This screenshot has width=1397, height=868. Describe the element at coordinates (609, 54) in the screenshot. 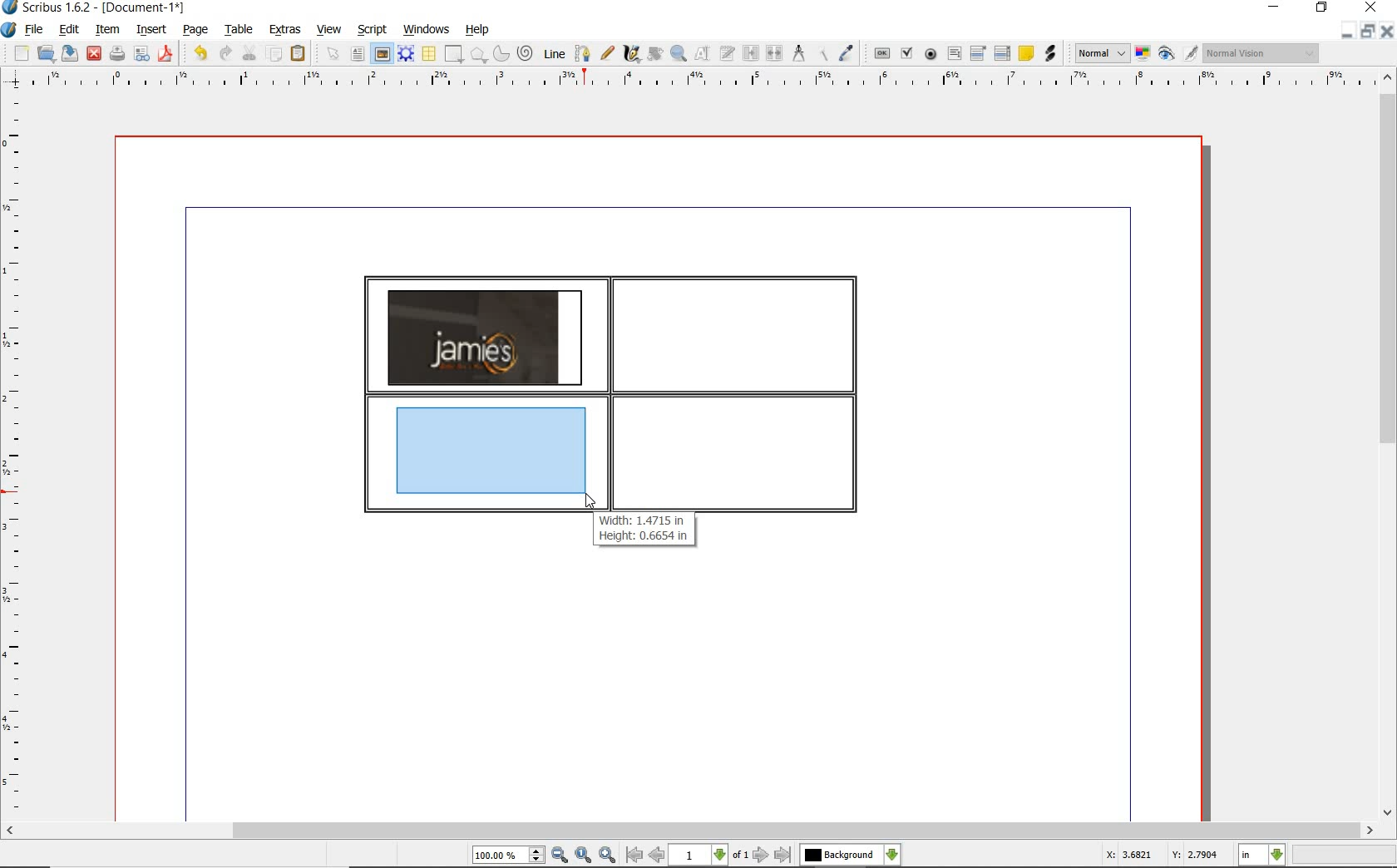

I see `freehand line` at that location.